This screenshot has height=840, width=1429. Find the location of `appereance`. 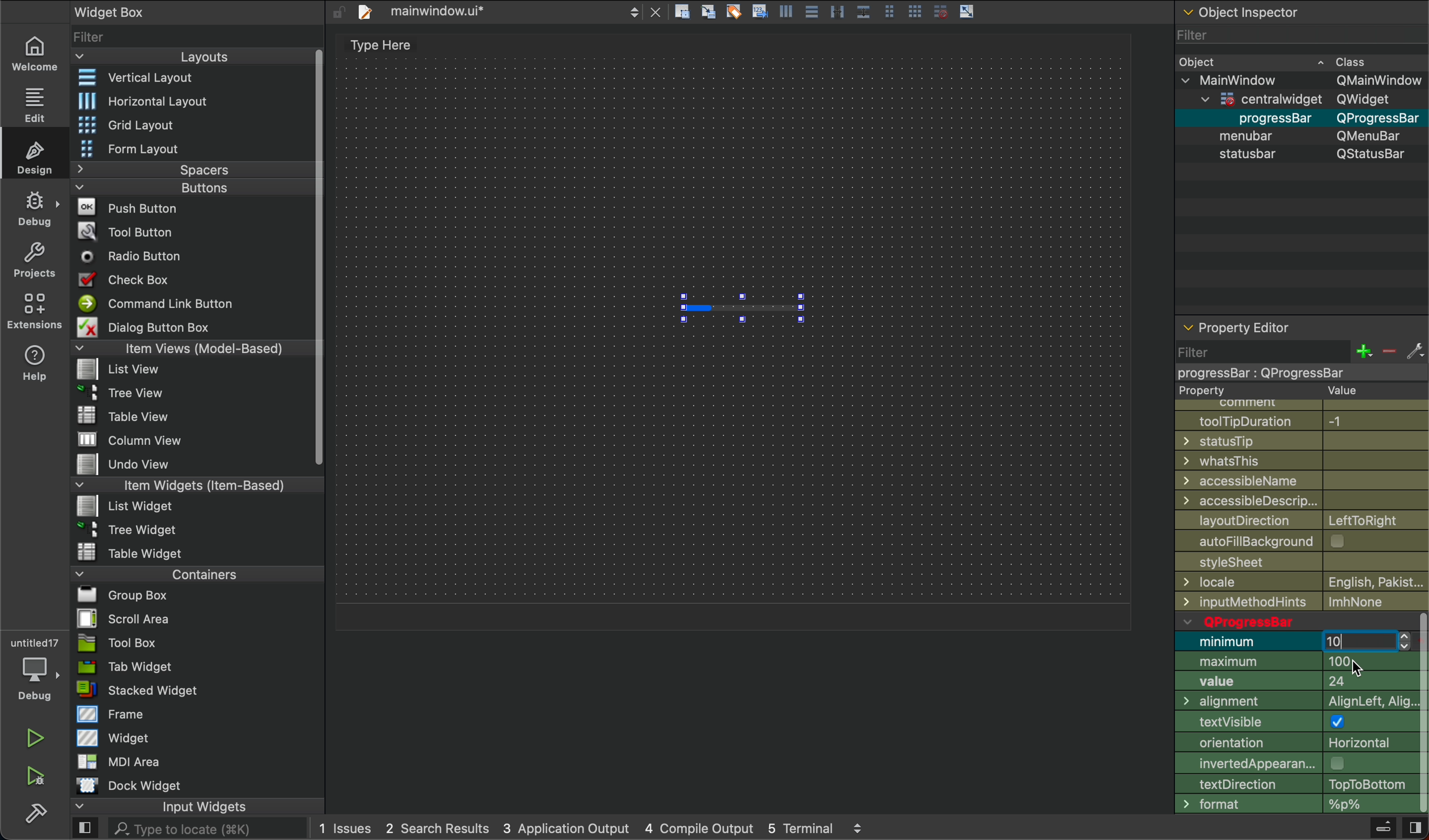

appereance is located at coordinates (1293, 763).